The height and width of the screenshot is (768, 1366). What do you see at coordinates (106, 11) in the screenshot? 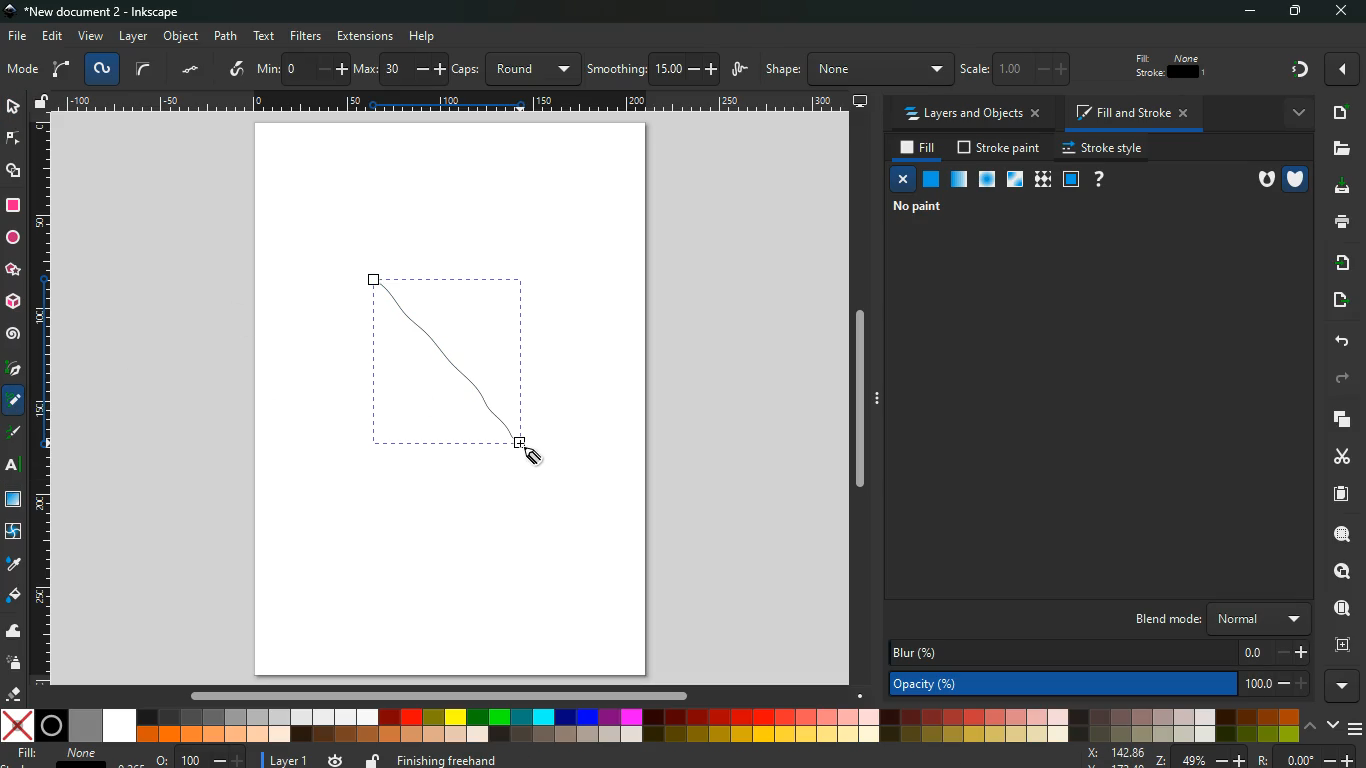
I see `inkscape` at bounding box center [106, 11].